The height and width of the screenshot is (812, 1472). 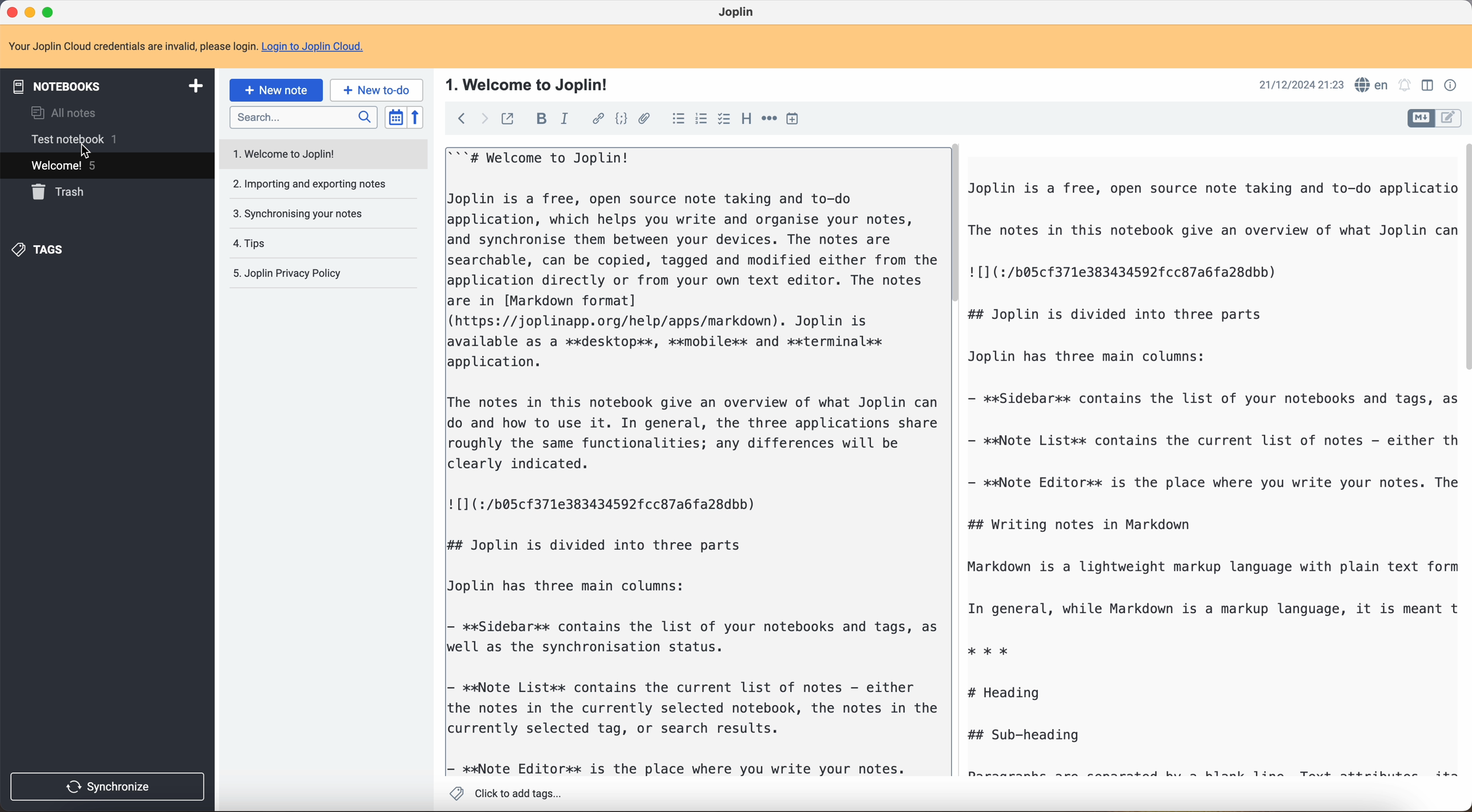 I want to click on scroll bar, so click(x=956, y=228).